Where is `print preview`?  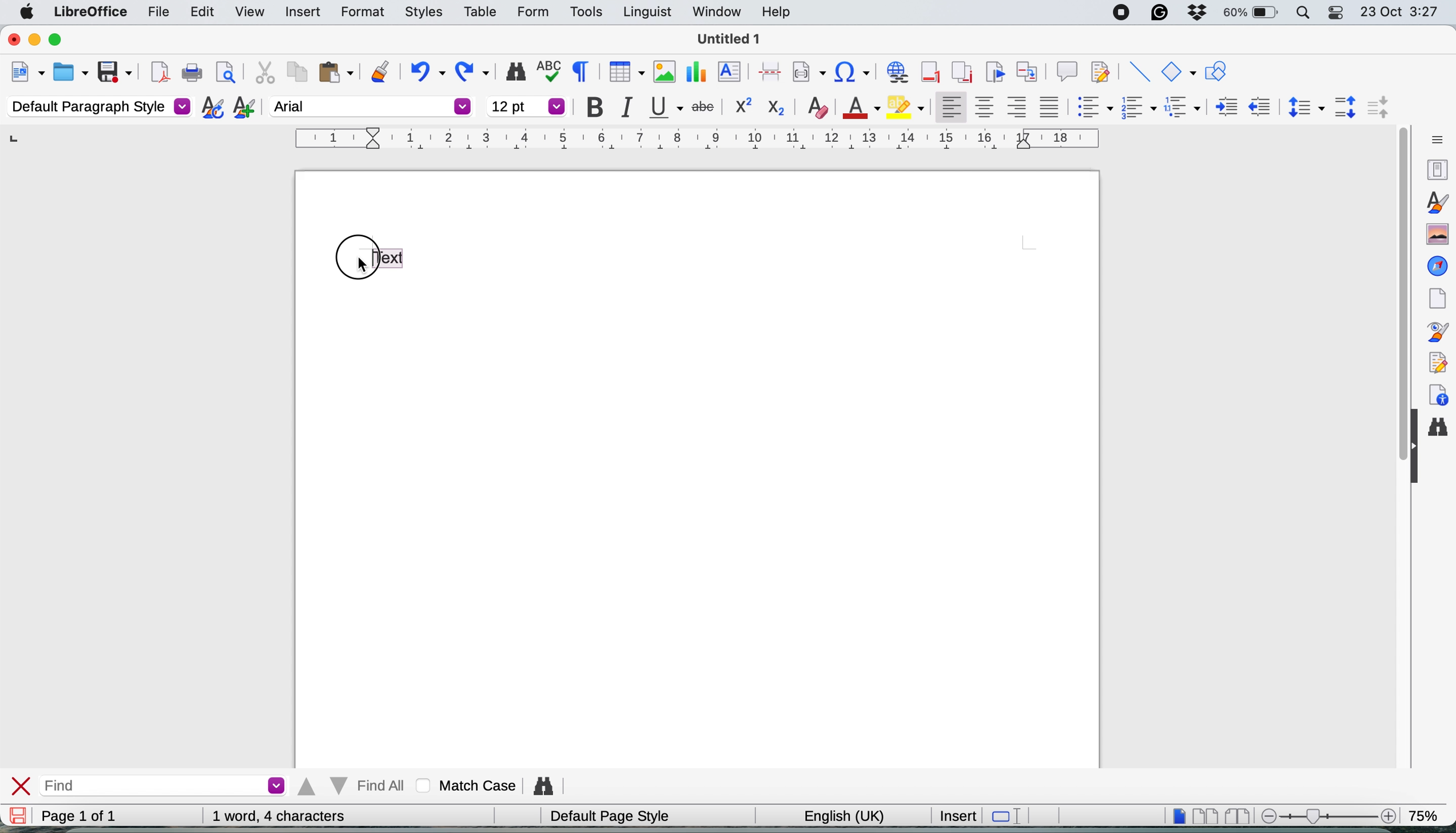
print preview is located at coordinates (225, 74).